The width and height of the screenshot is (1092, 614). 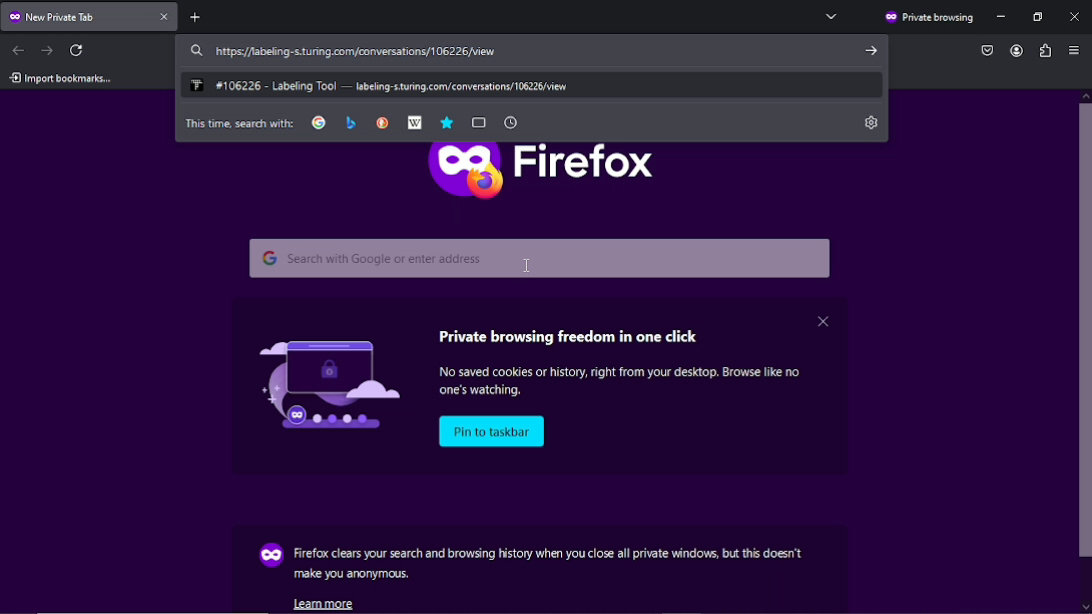 What do you see at coordinates (1003, 17) in the screenshot?
I see `minimize` at bounding box center [1003, 17].